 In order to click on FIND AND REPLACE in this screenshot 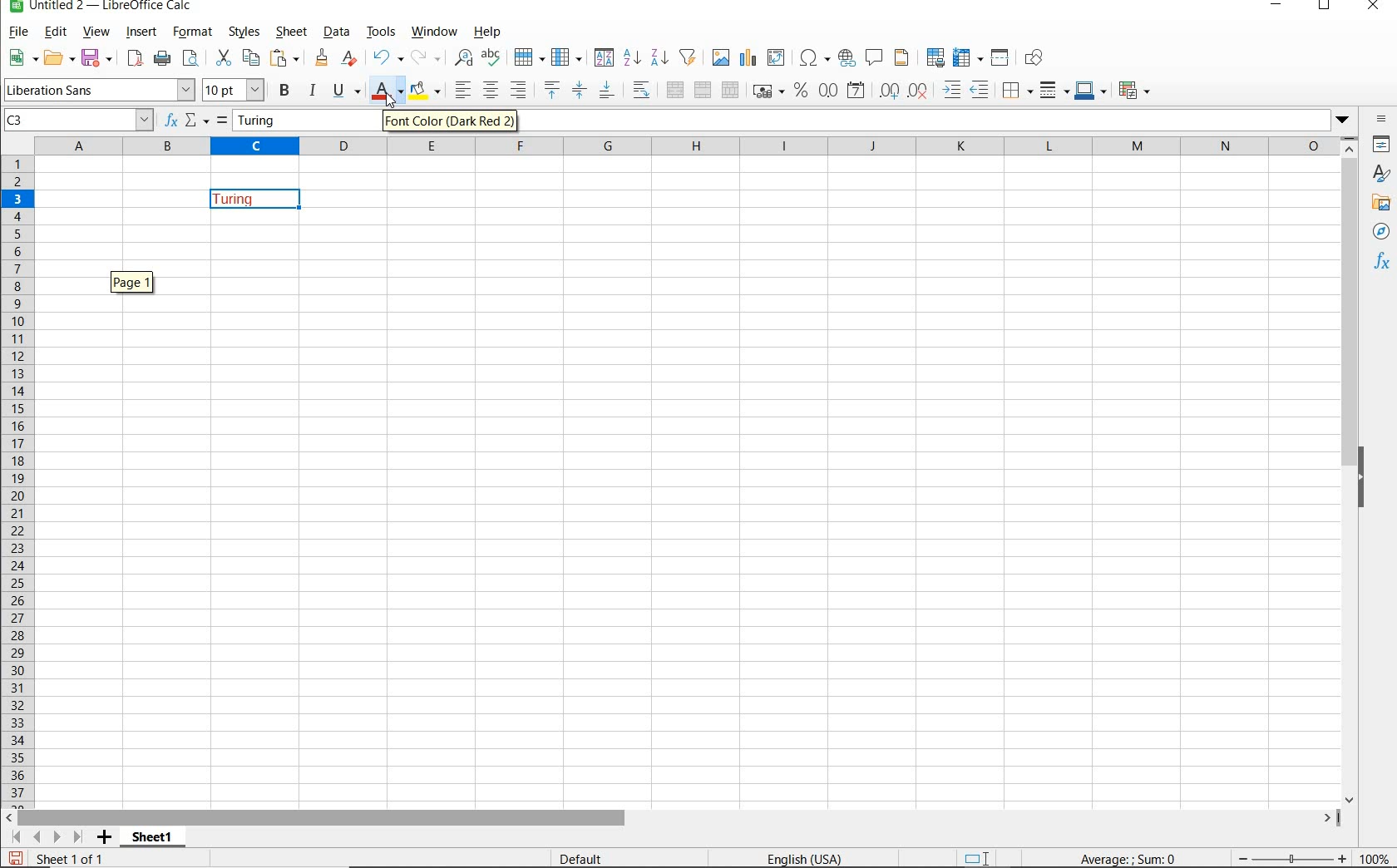, I will do `click(464, 57)`.